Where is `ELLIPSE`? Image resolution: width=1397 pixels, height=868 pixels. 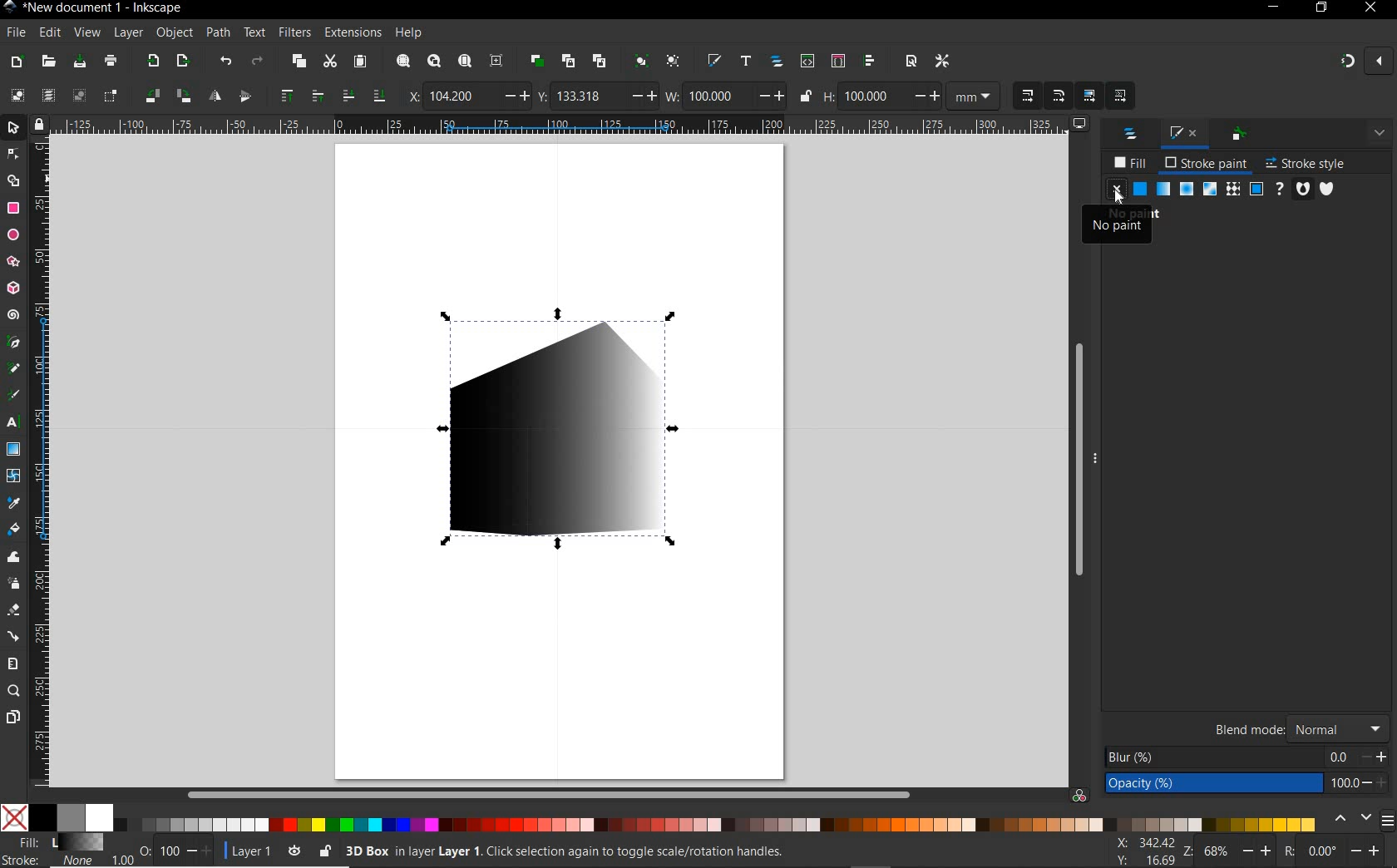 ELLIPSE is located at coordinates (12, 235).